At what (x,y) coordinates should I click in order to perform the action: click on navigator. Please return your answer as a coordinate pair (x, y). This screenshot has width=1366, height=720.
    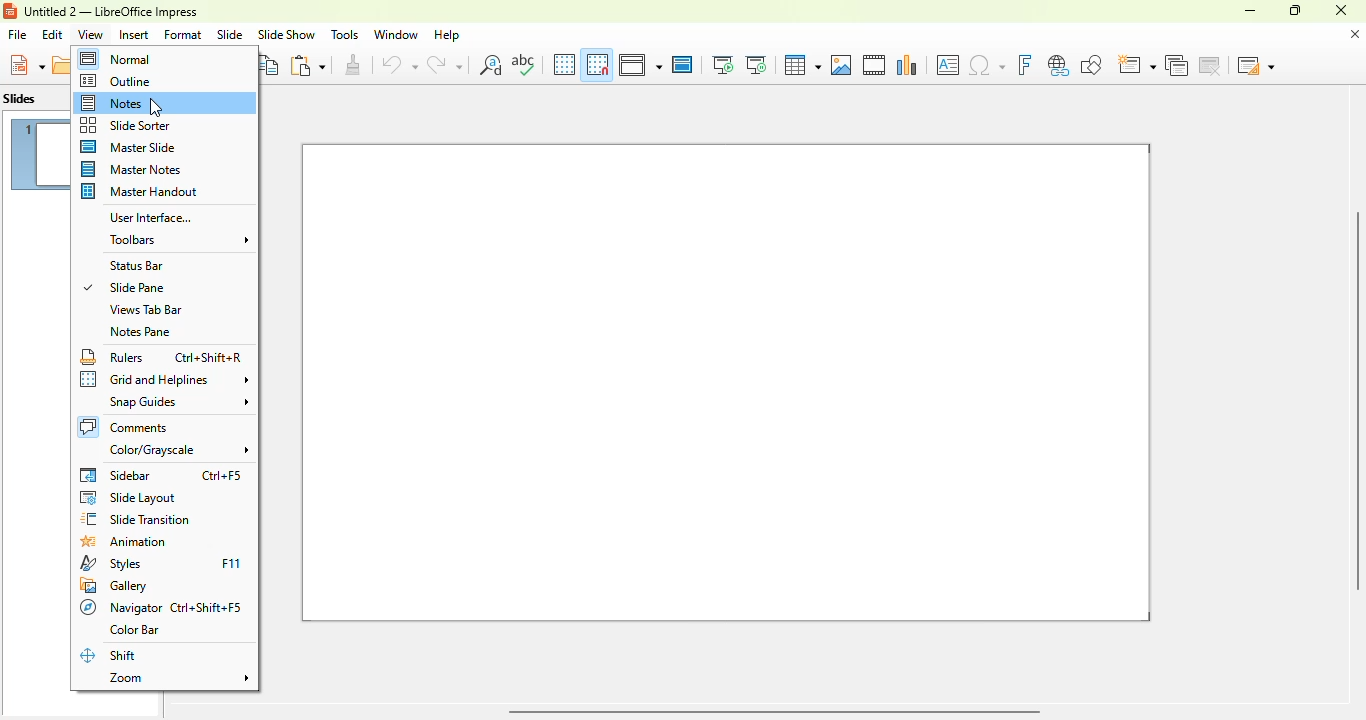
    Looking at the image, I should click on (161, 607).